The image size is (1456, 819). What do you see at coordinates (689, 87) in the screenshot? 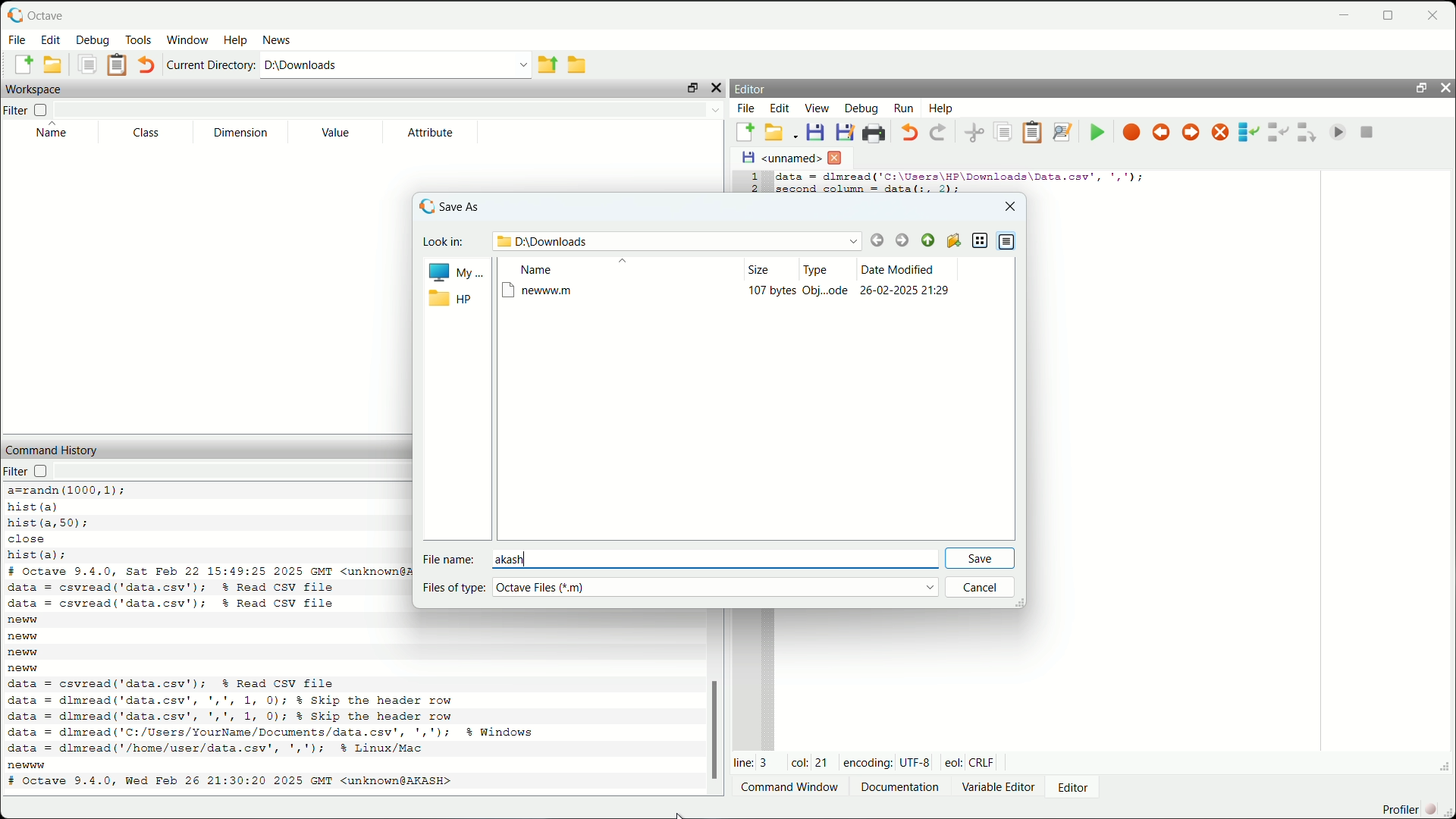
I see `unlock widget` at bounding box center [689, 87].